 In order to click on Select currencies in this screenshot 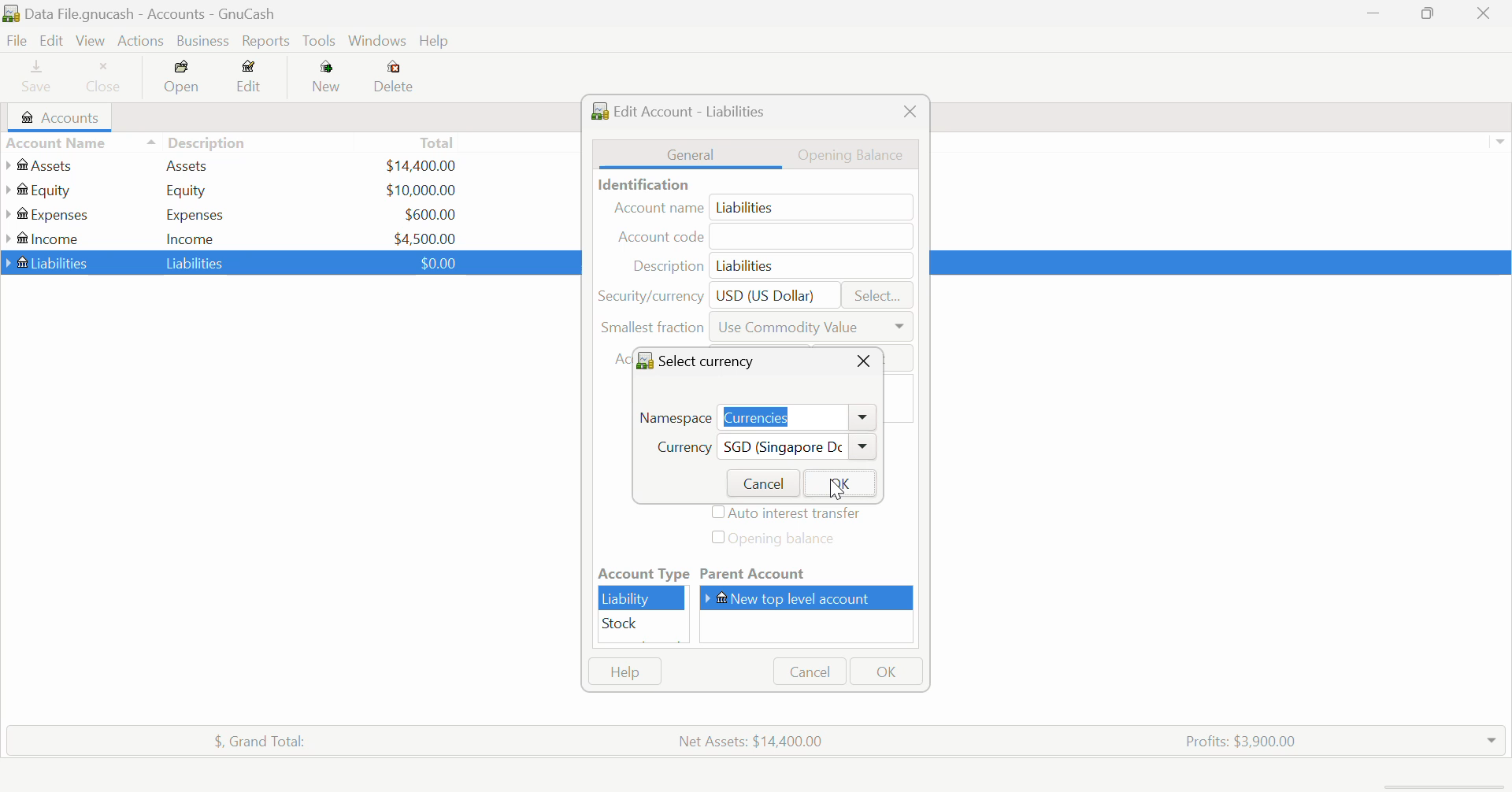, I will do `click(704, 360)`.